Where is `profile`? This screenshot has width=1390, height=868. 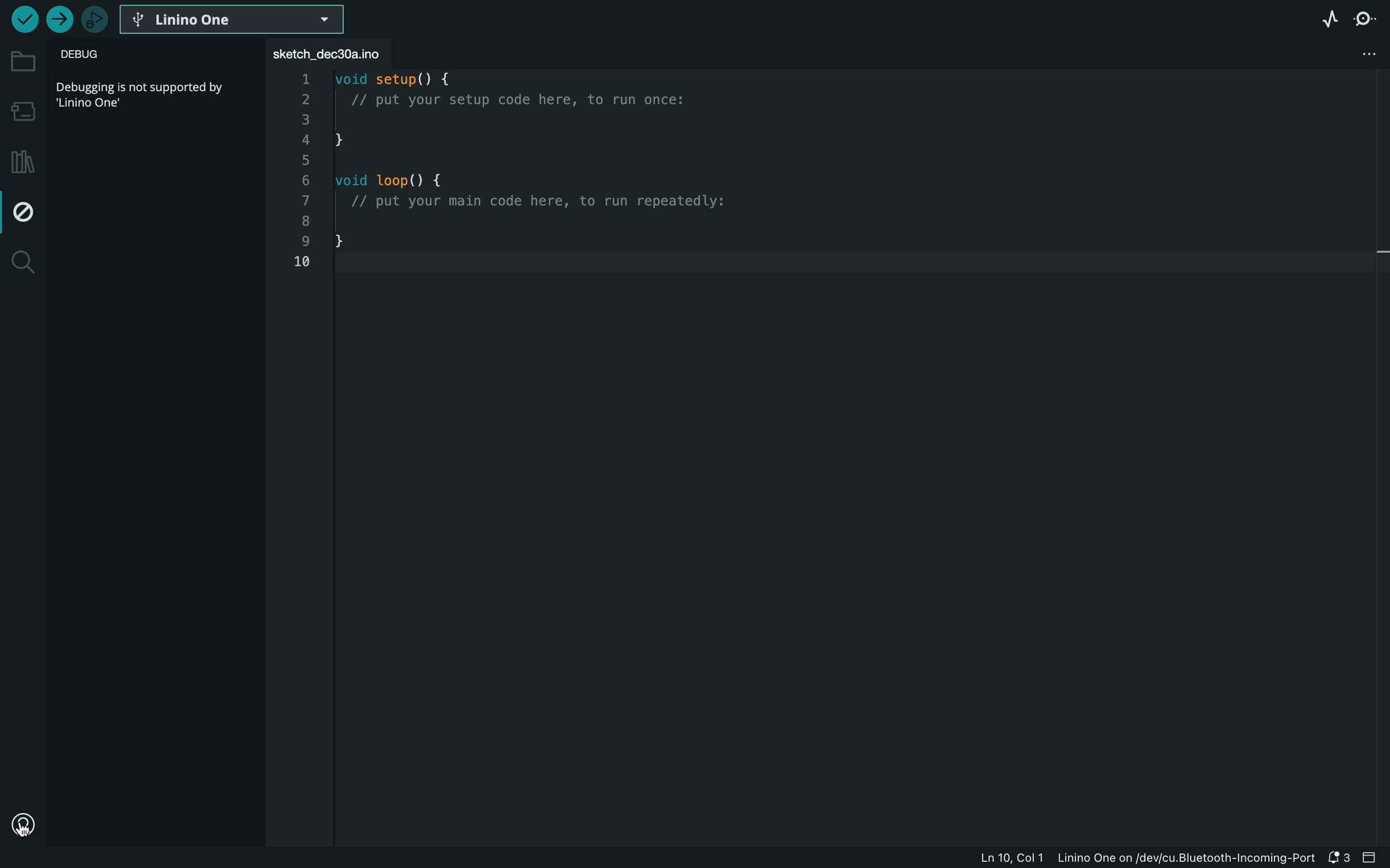 profile is located at coordinates (22, 826).